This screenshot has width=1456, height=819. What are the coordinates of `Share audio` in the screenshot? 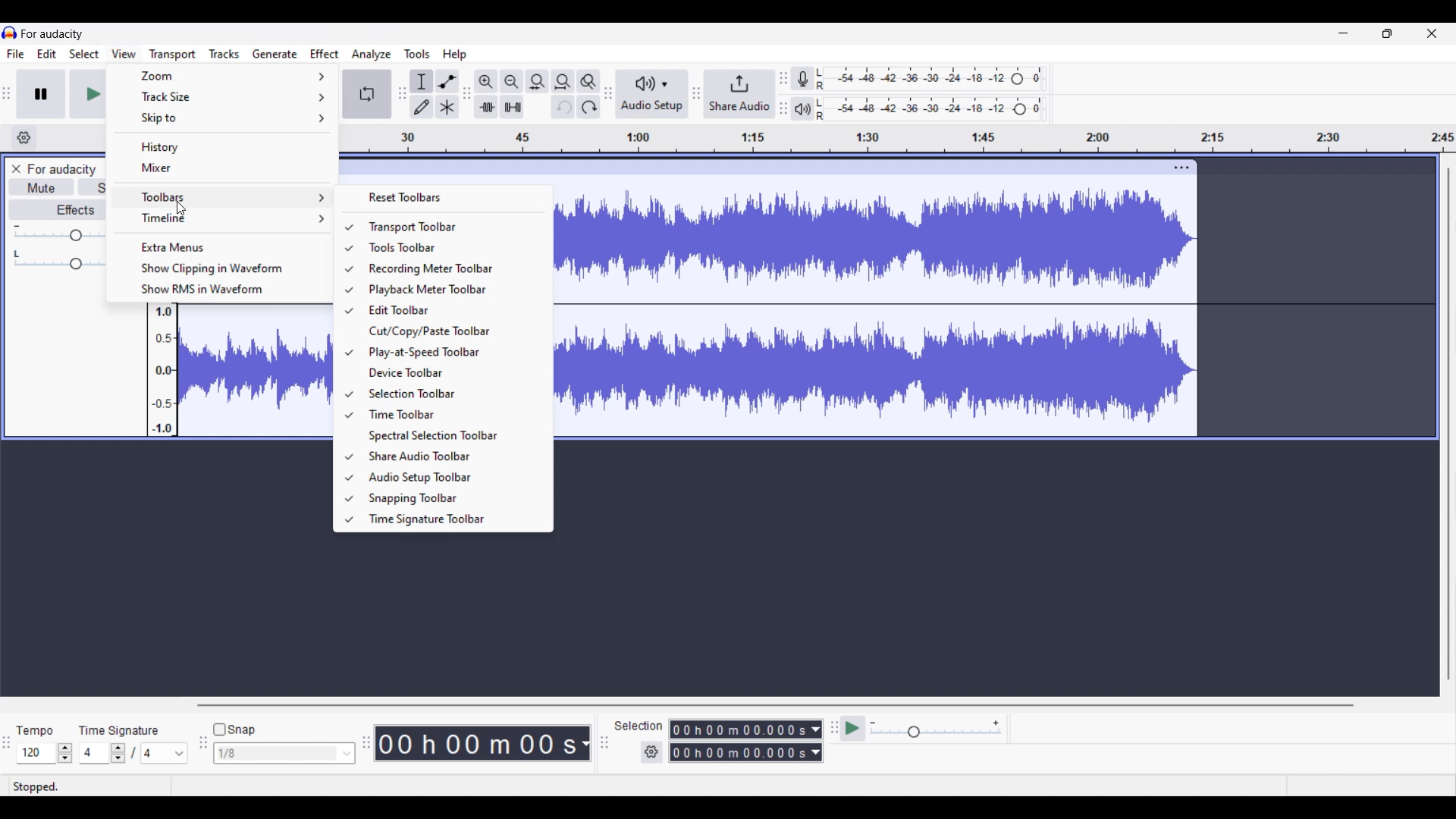 It's located at (740, 94).